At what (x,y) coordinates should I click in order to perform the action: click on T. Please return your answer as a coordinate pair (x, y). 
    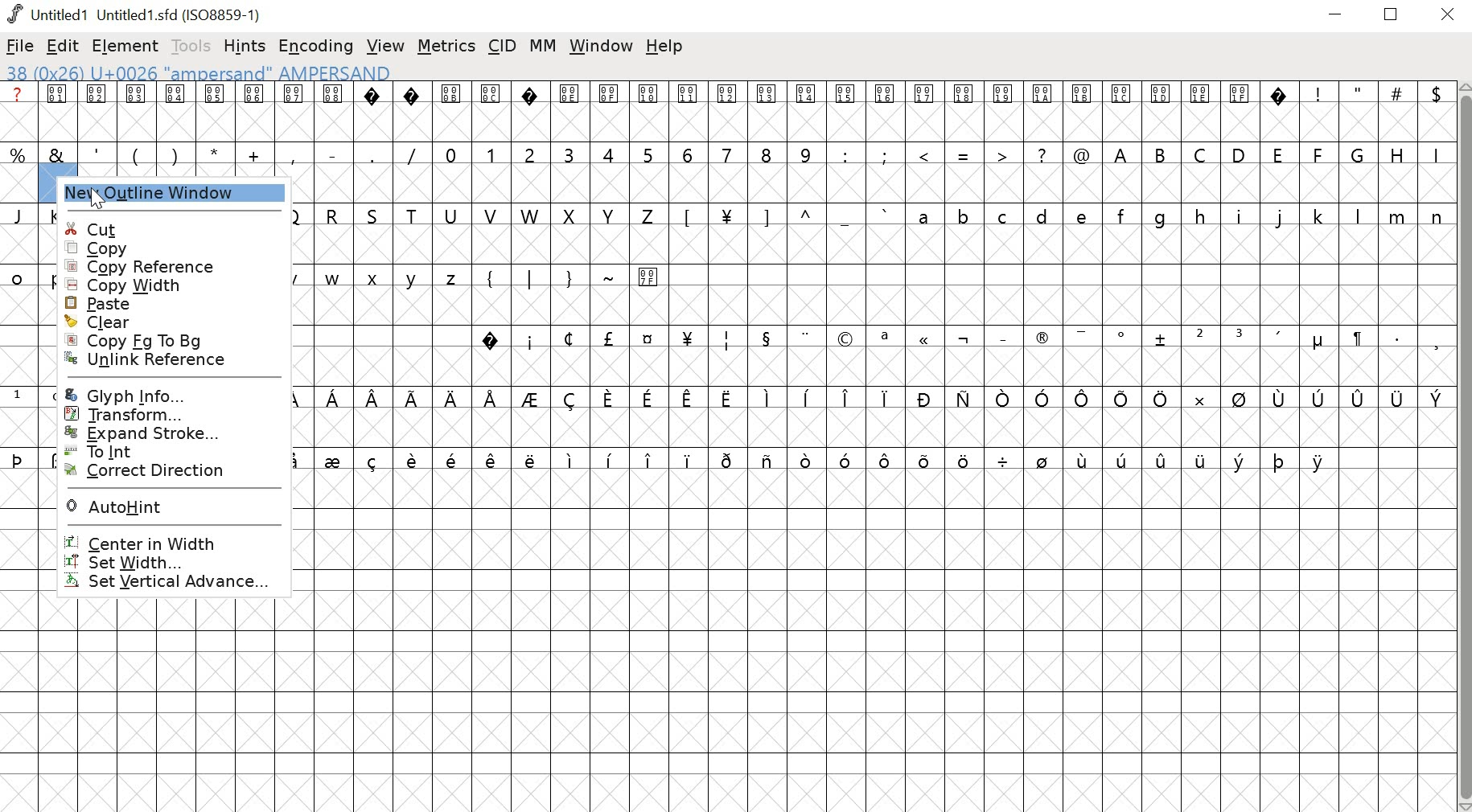
    Looking at the image, I should click on (416, 214).